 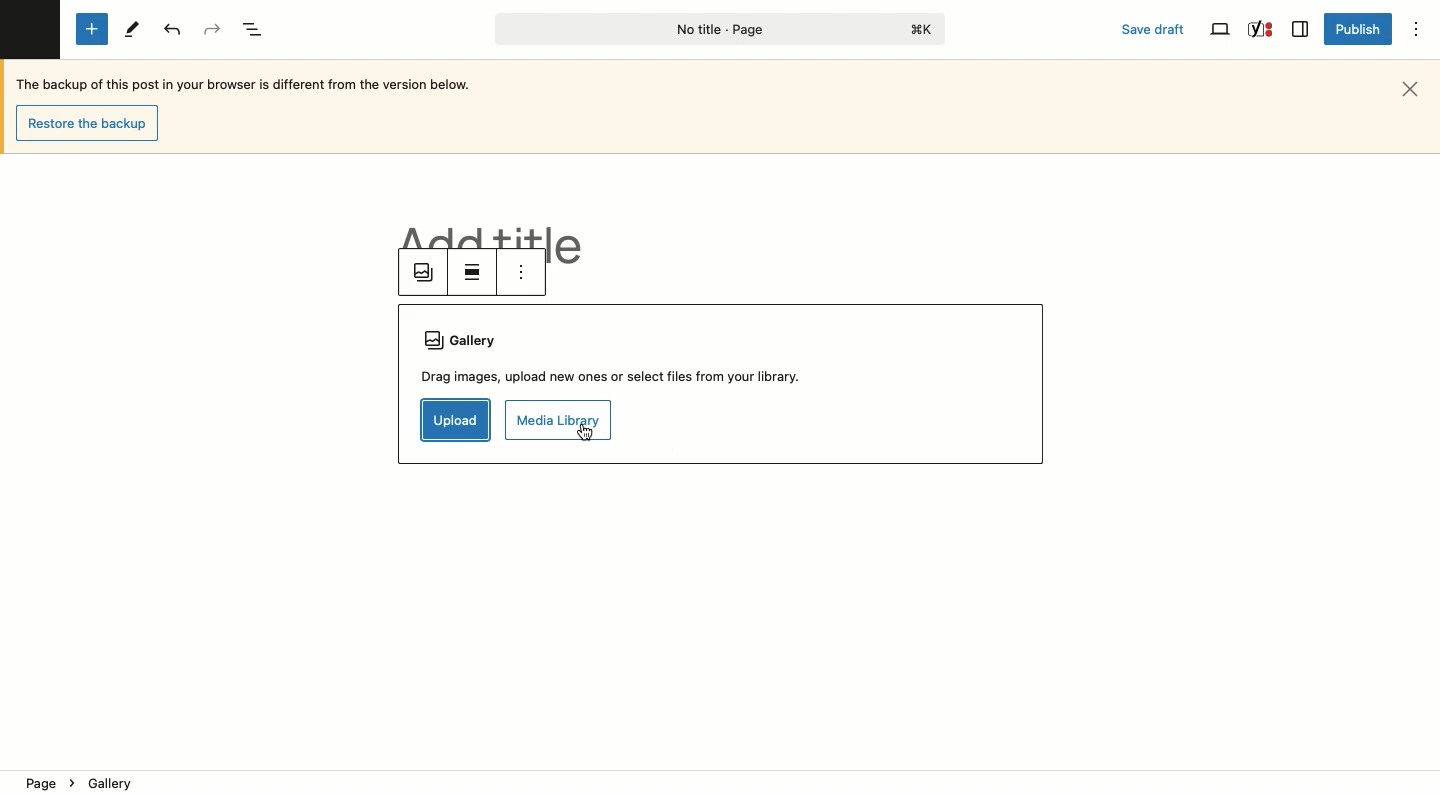 I want to click on Image, so click(x=427, y=274).